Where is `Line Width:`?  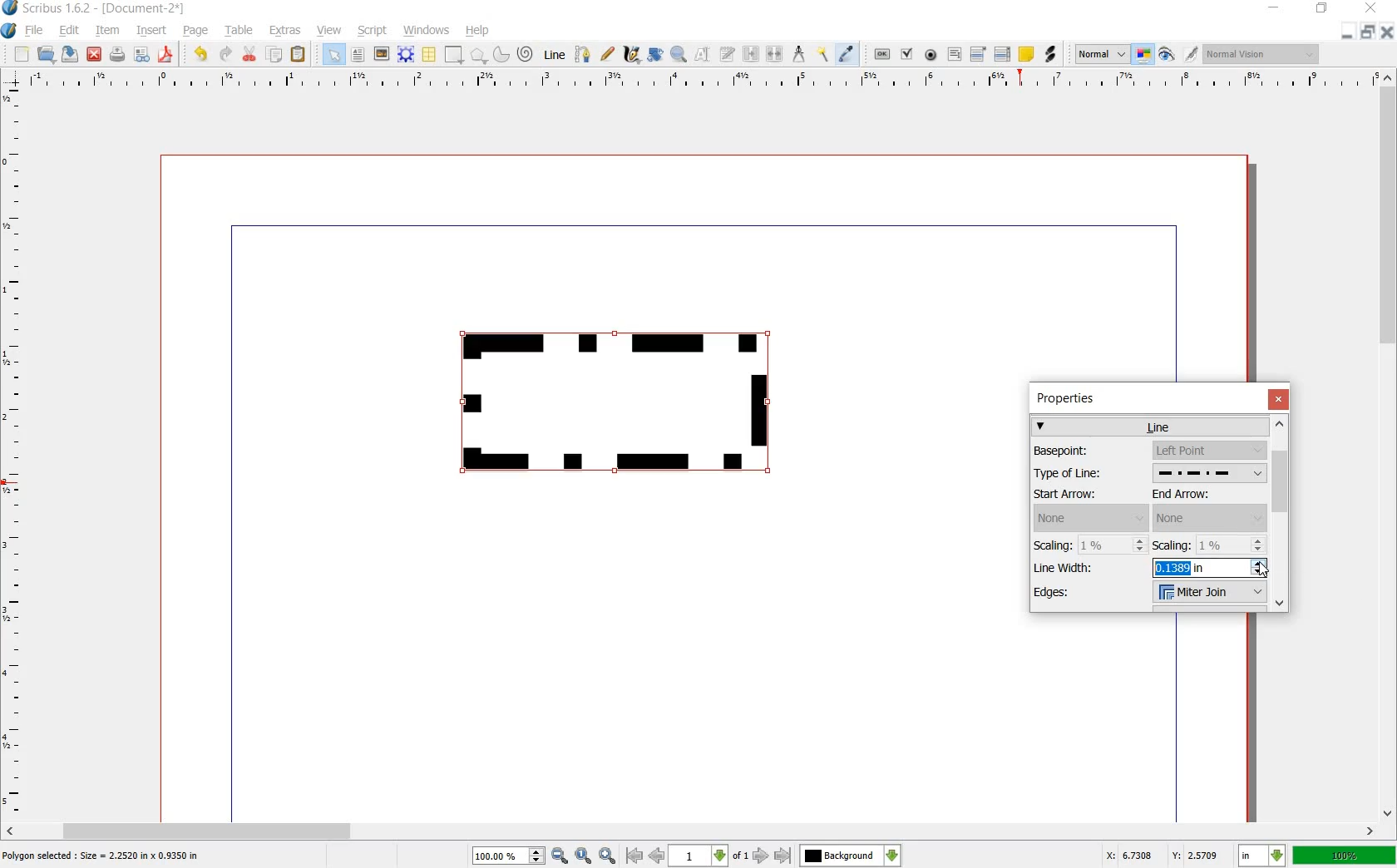 Line Width: is located at coordinates (1070, 567).